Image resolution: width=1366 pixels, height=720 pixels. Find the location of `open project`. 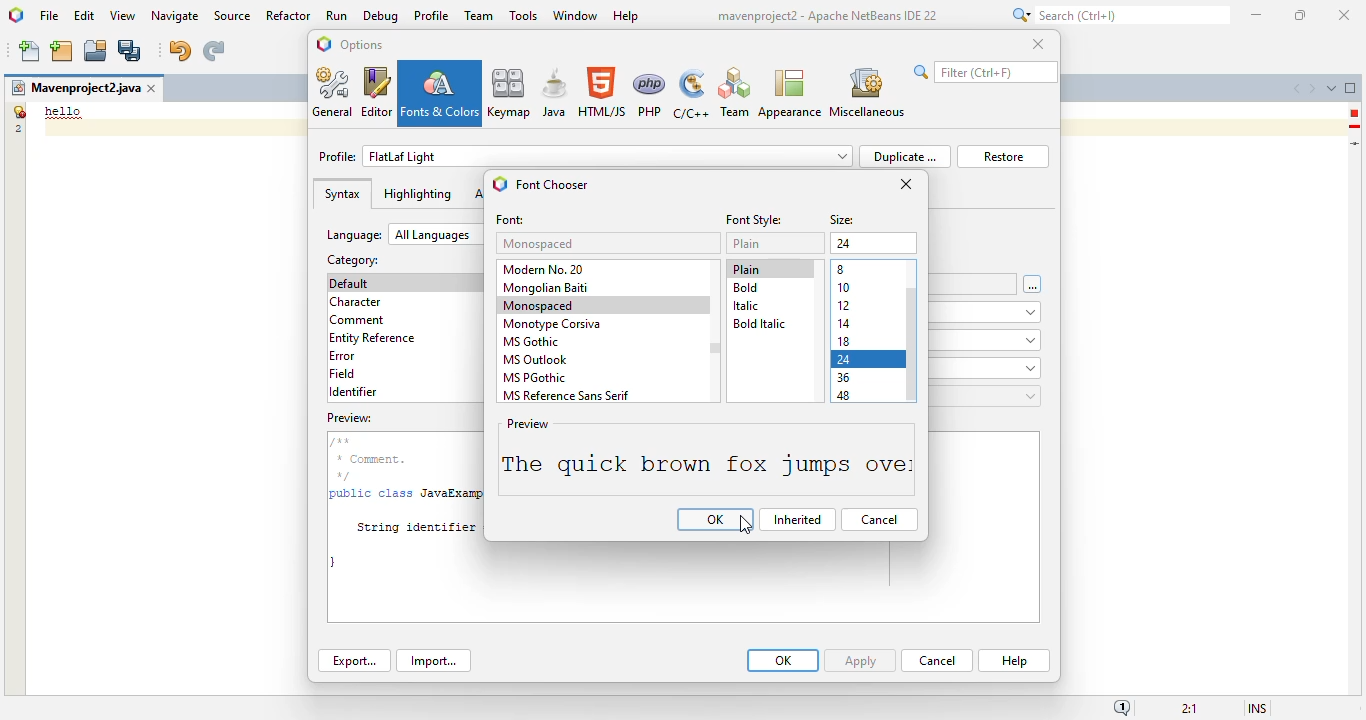

open project is located at coordinates (96, 51).